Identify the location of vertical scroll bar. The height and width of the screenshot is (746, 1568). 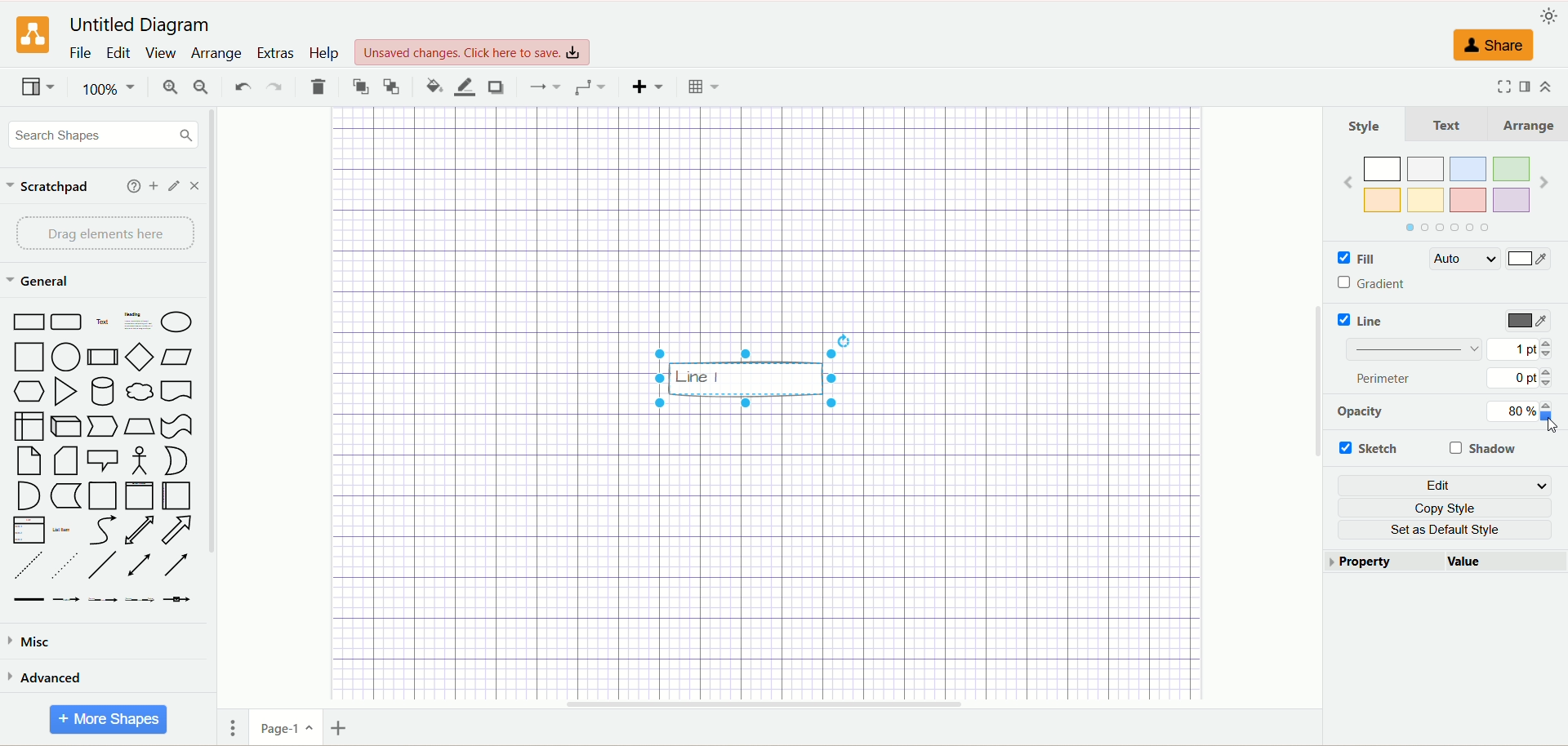
(1312, 408).